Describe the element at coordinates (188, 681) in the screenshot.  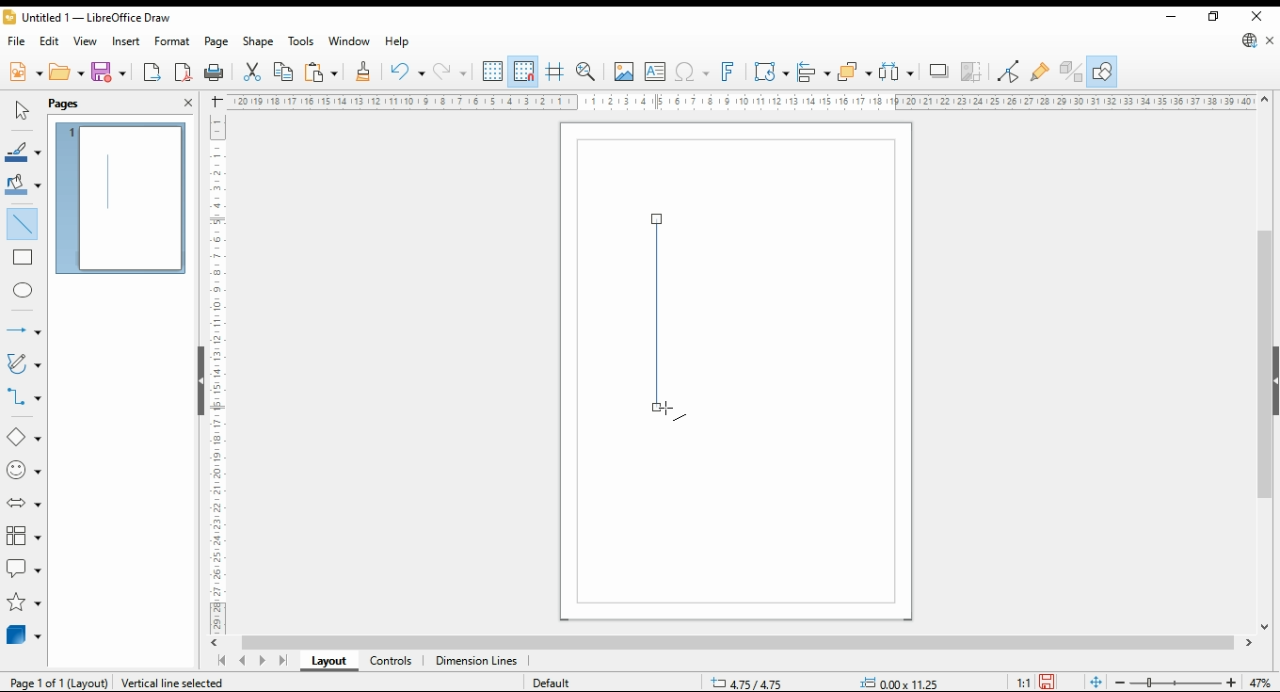
I see `Vertical line selected` at that location.